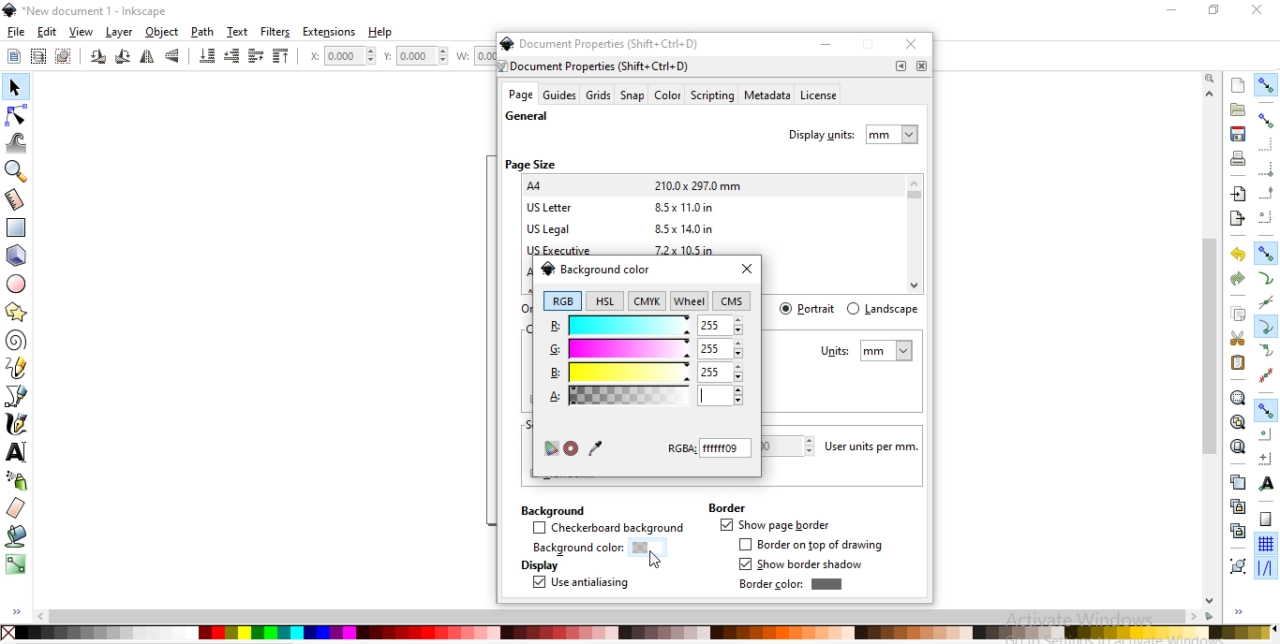  What do you see at coordinates (16, 341) in the screenshot?
I see `create spirals` at bounding box center [16, 341].